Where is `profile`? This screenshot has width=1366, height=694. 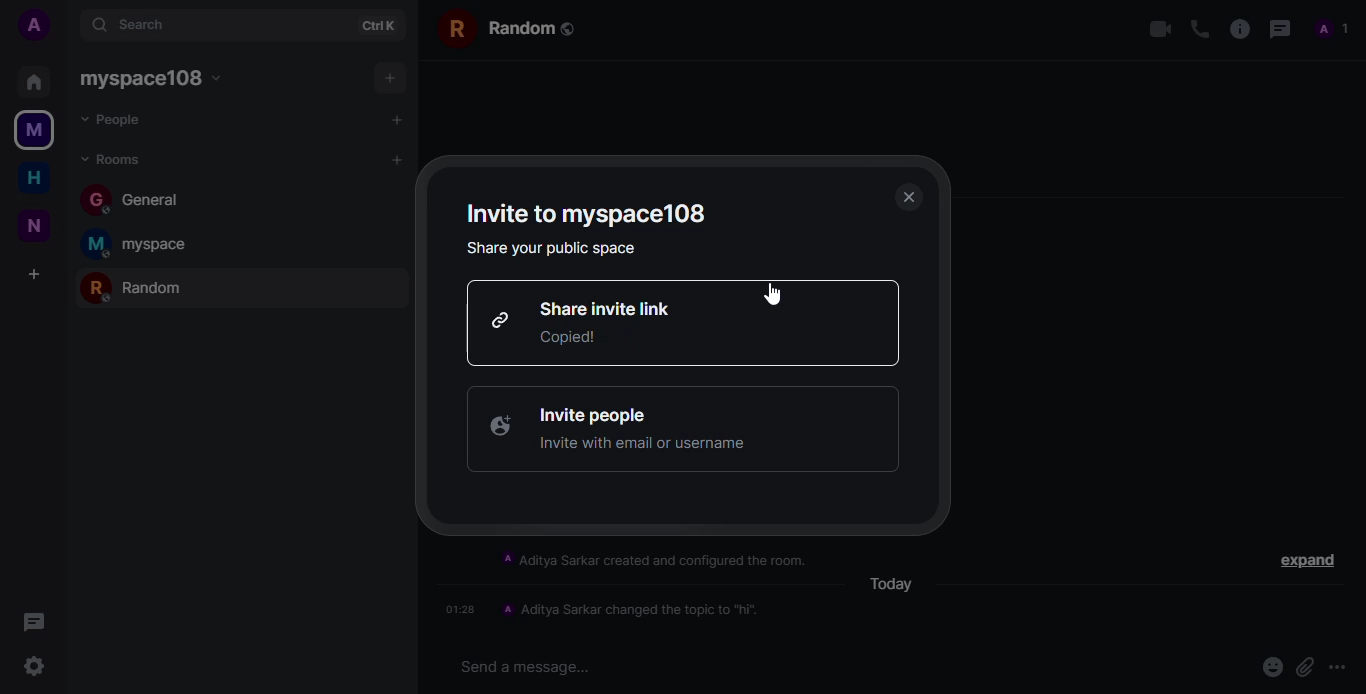 profile is located at coordinates (1332, 30).